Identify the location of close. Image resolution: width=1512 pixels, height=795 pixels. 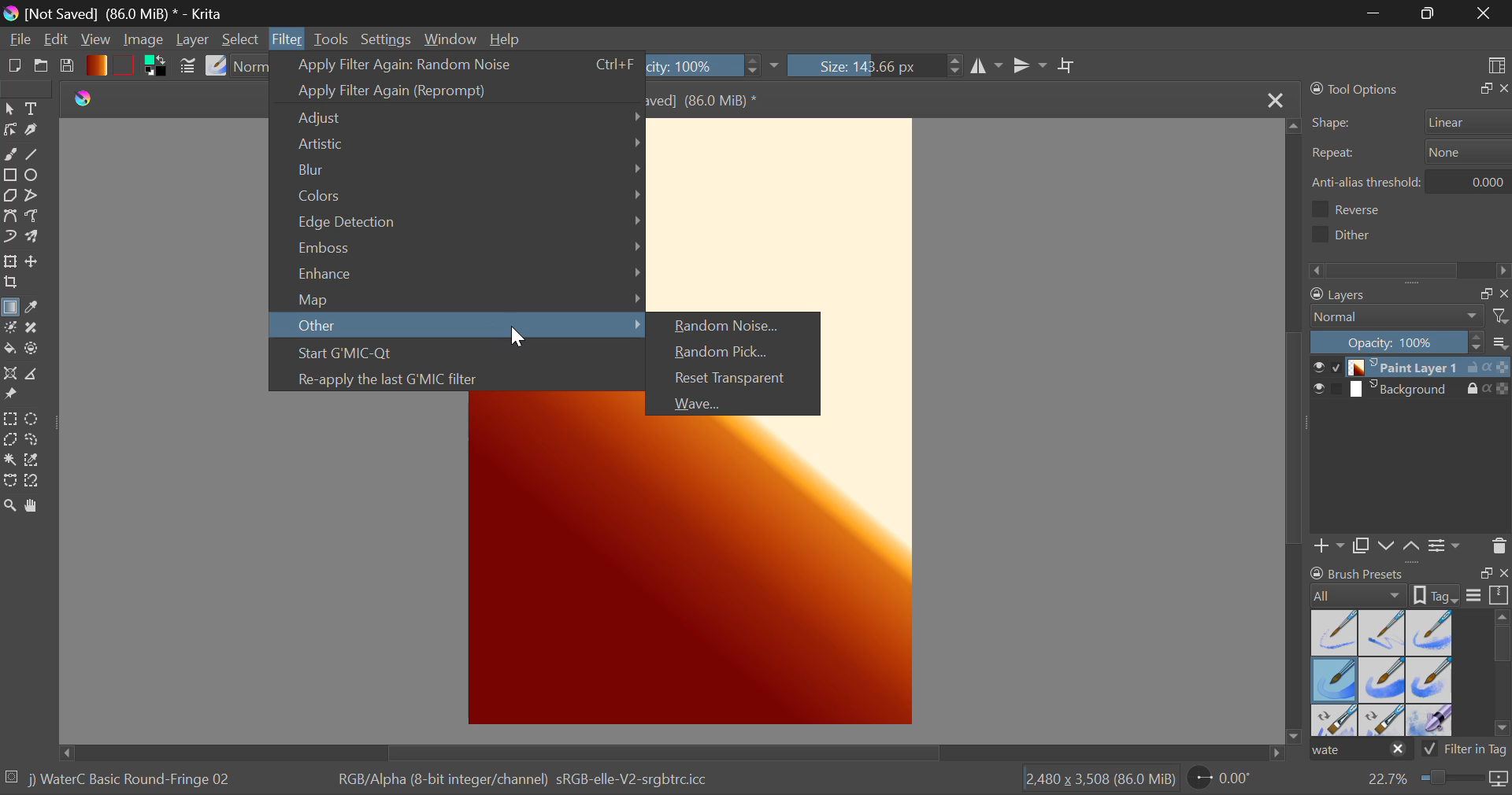
(1503, 294).